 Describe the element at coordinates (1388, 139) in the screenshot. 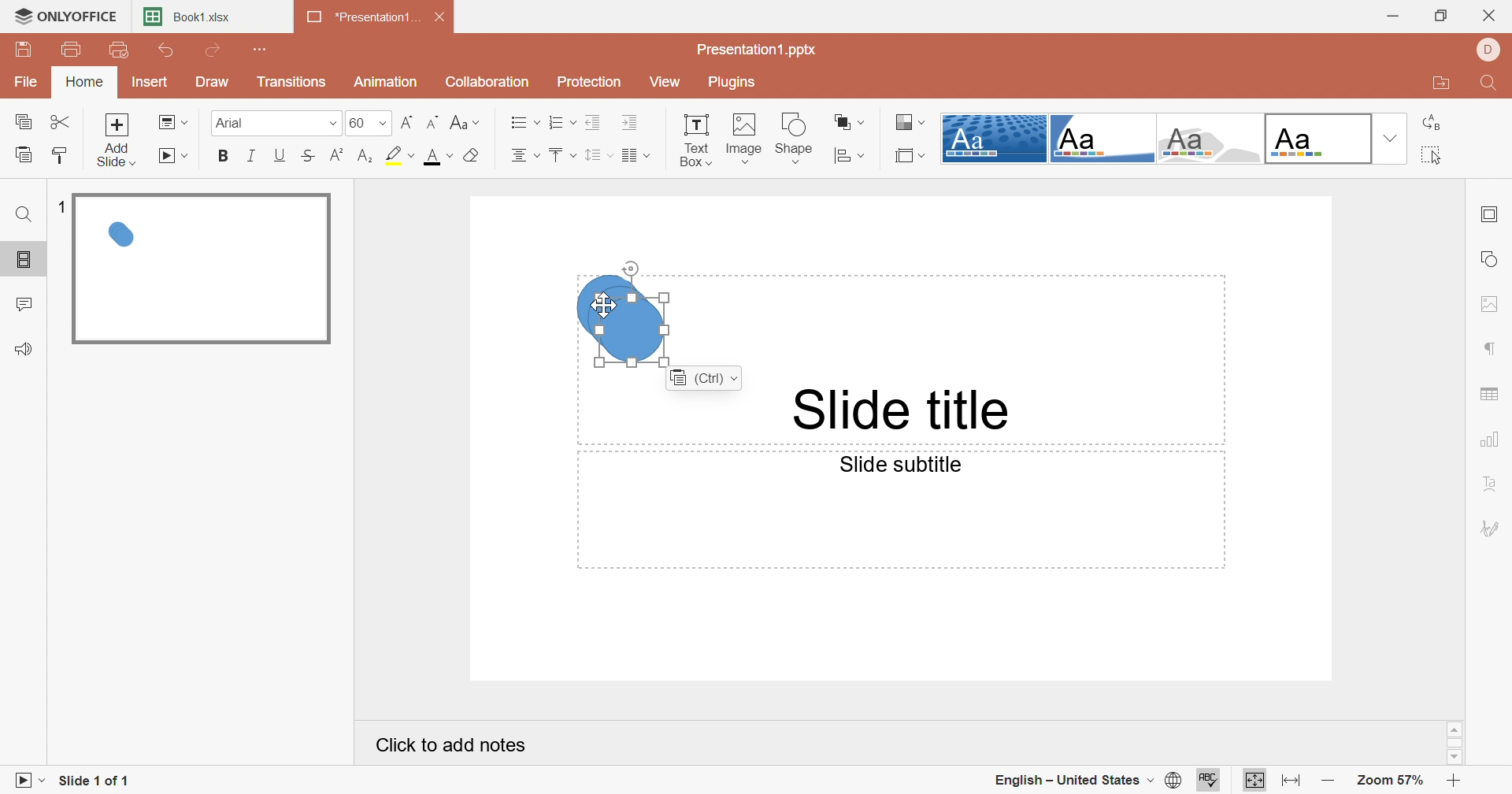

I see `Drop down` at that location.